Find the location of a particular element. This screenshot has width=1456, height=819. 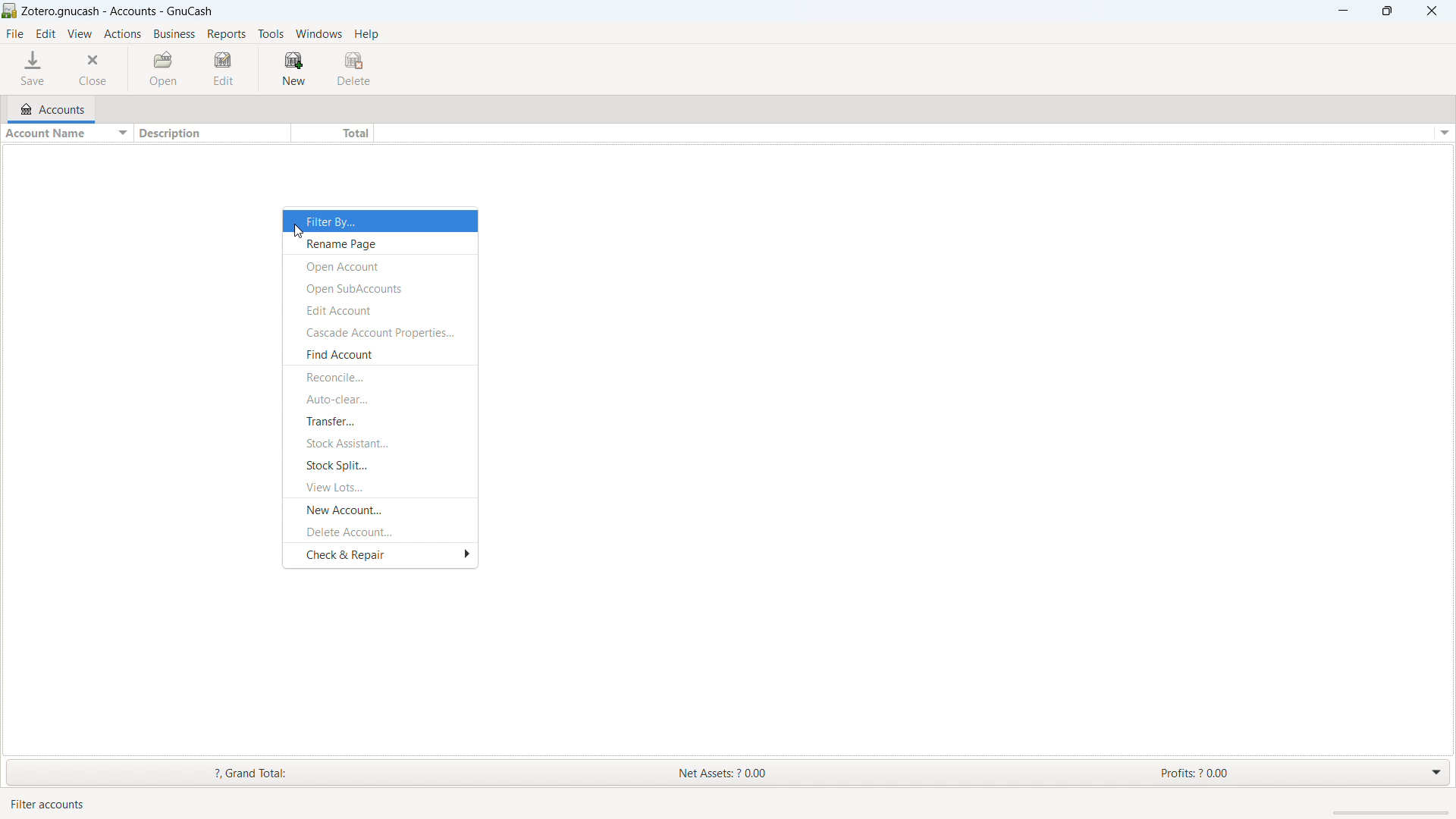

scrollbar is located at coordinates (1394, 813).